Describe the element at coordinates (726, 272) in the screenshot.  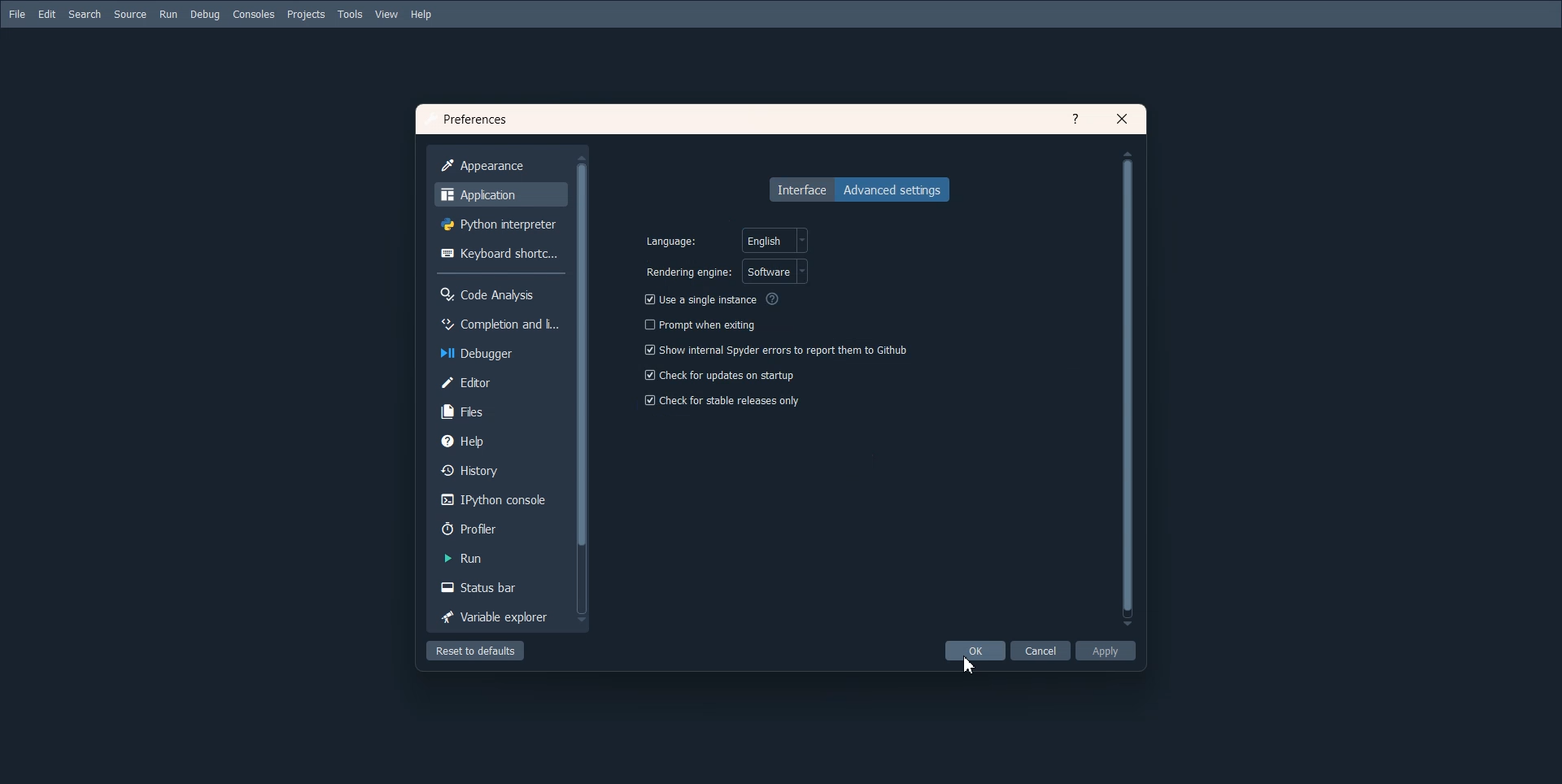
I see `select rendering engine` at that location.